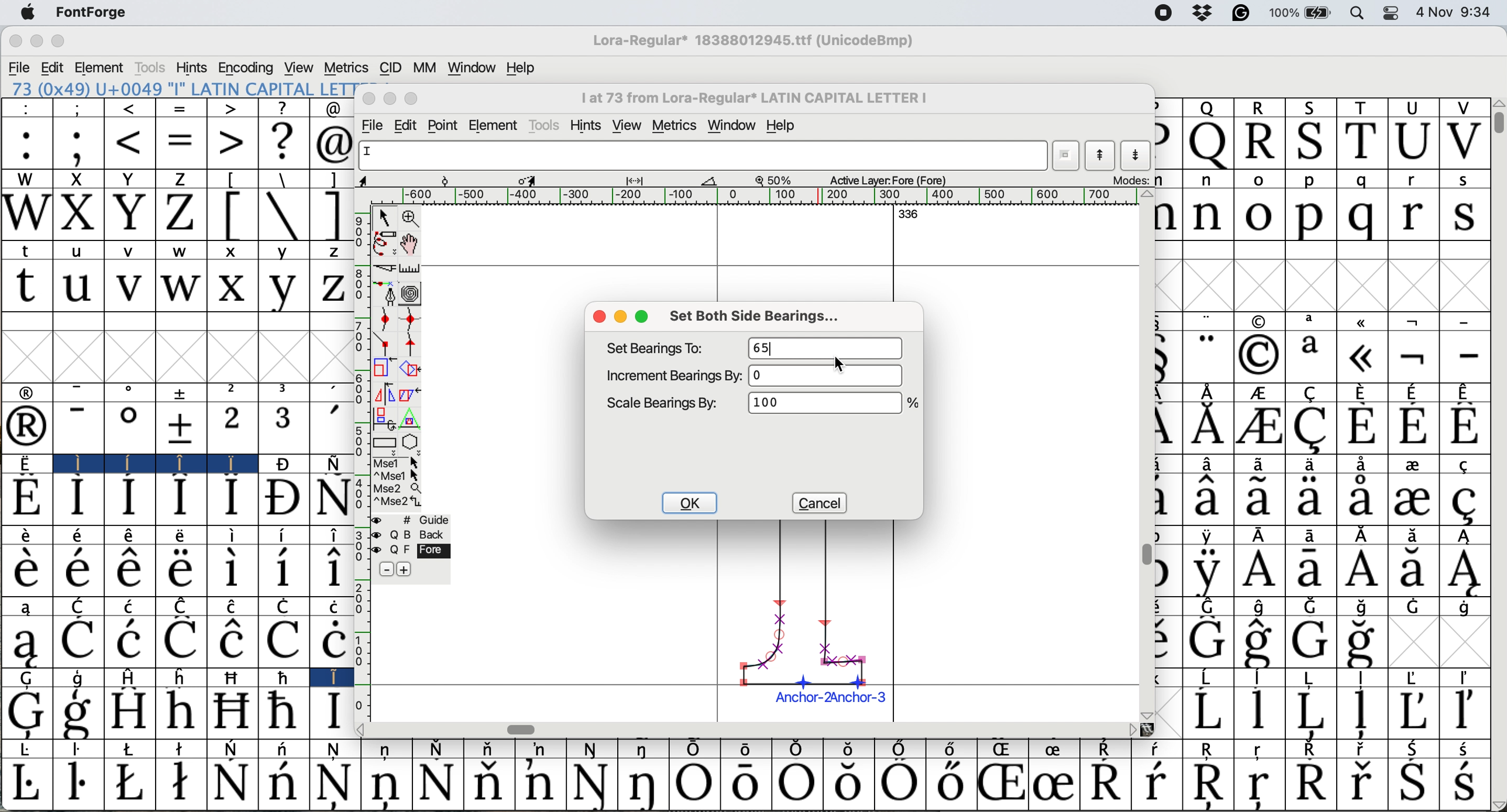  What do you see at coordinates (690, 503) in the screenshot?
I see `ok` at bounding box center [690, 503].